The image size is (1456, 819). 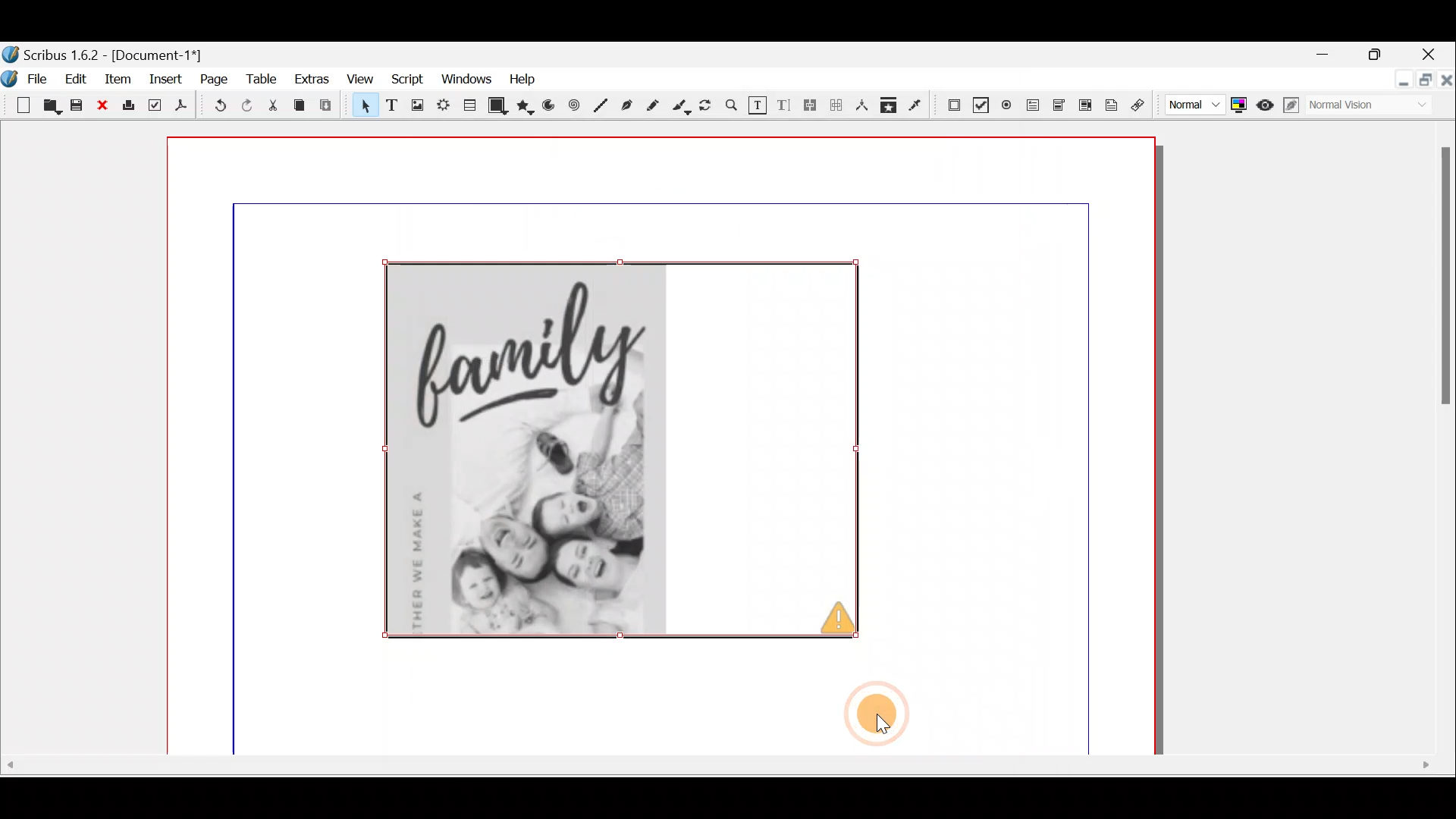 I want to click on Table, so click(x=472, y=109).